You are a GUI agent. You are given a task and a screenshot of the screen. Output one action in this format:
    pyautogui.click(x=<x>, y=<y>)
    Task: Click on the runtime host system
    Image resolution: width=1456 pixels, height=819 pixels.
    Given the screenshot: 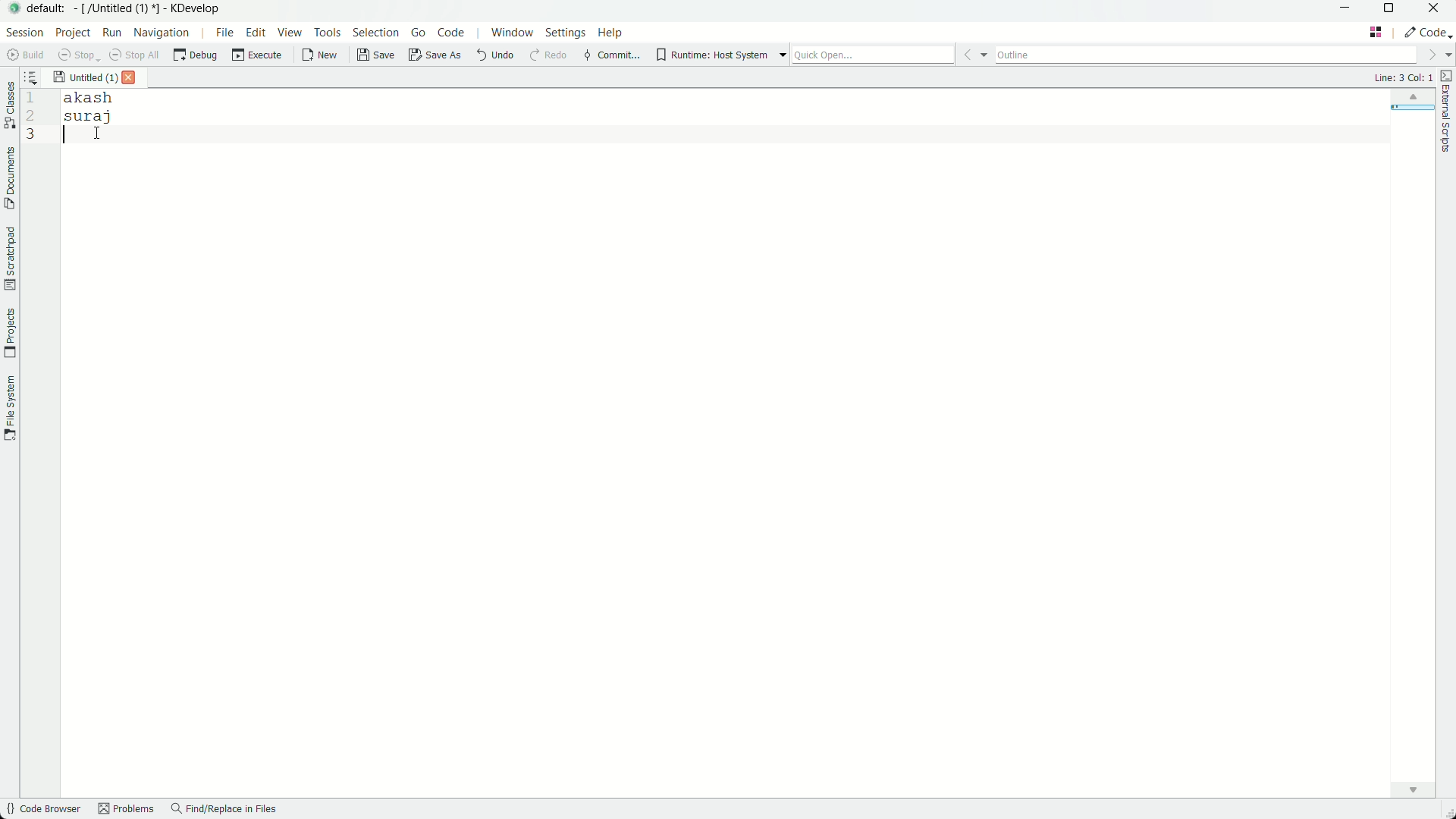 What is the action you would take?
    pyautogui.click(x=722, y=55)
    